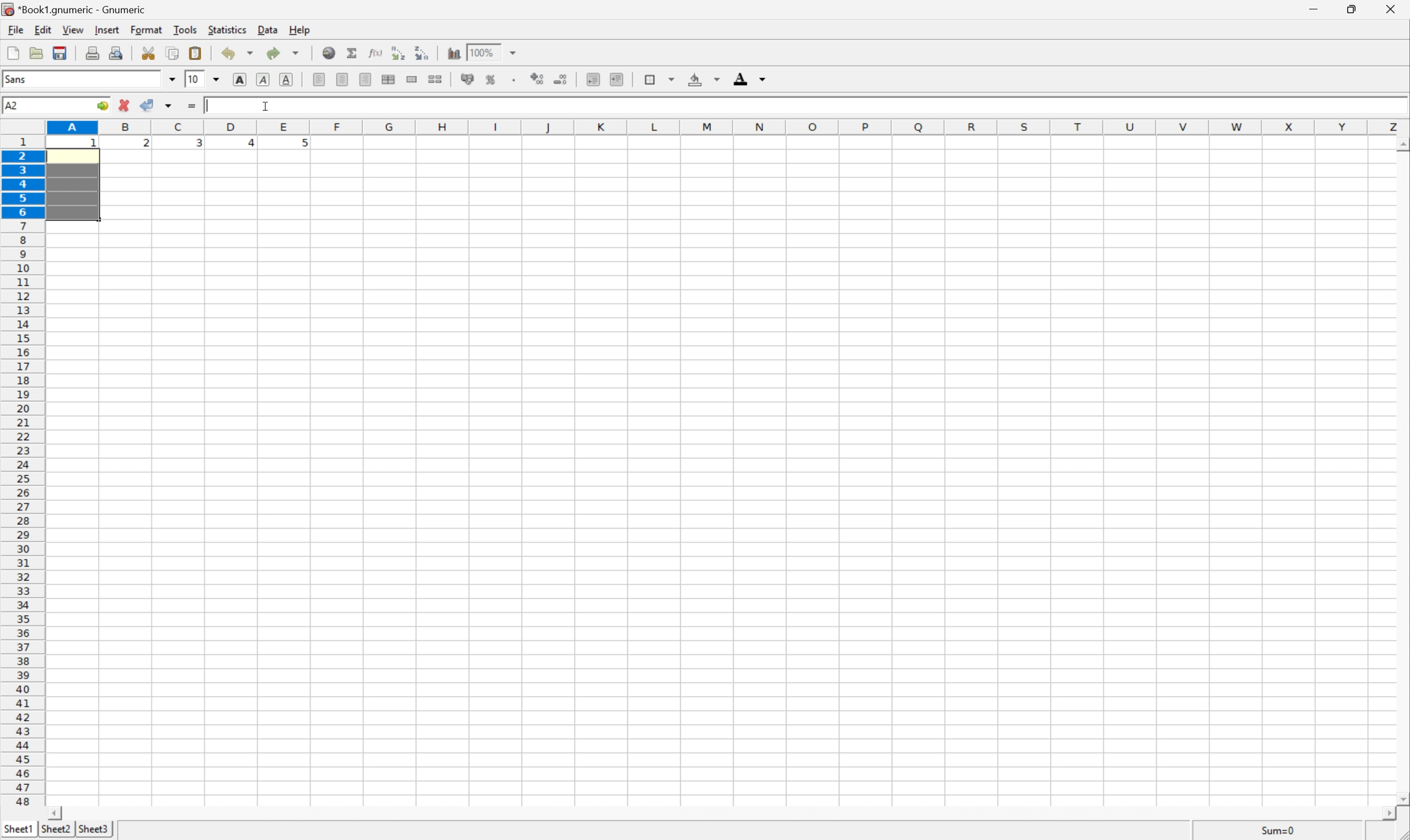  Describe the element at coordinates (195, 52) in the screenshot. I see `paste` at that location.